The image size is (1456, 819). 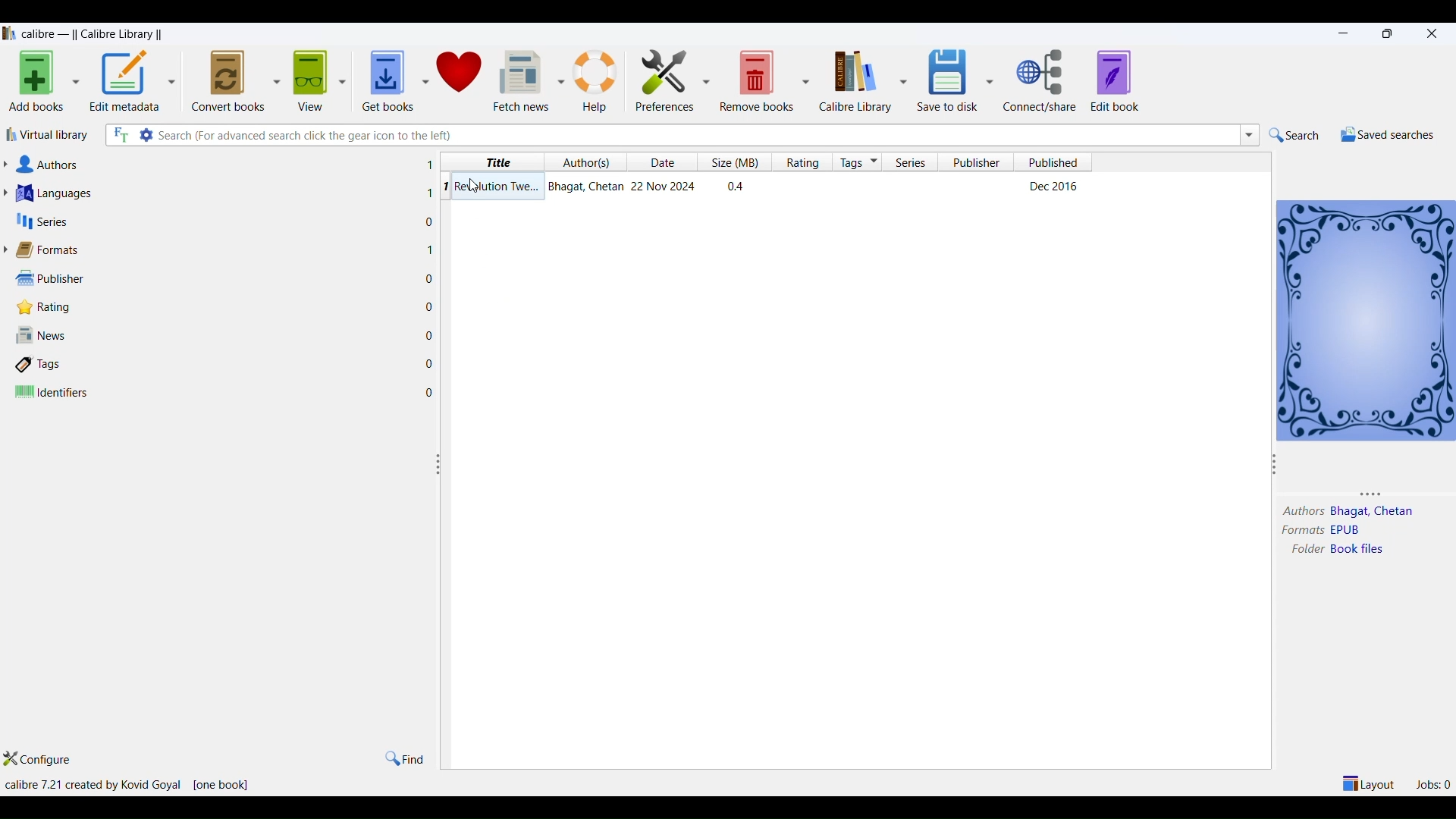 What do you see at coordinates (422, 76) in the screenshot?
I see `get books options dropdown button` at bounding box center [422, 76].